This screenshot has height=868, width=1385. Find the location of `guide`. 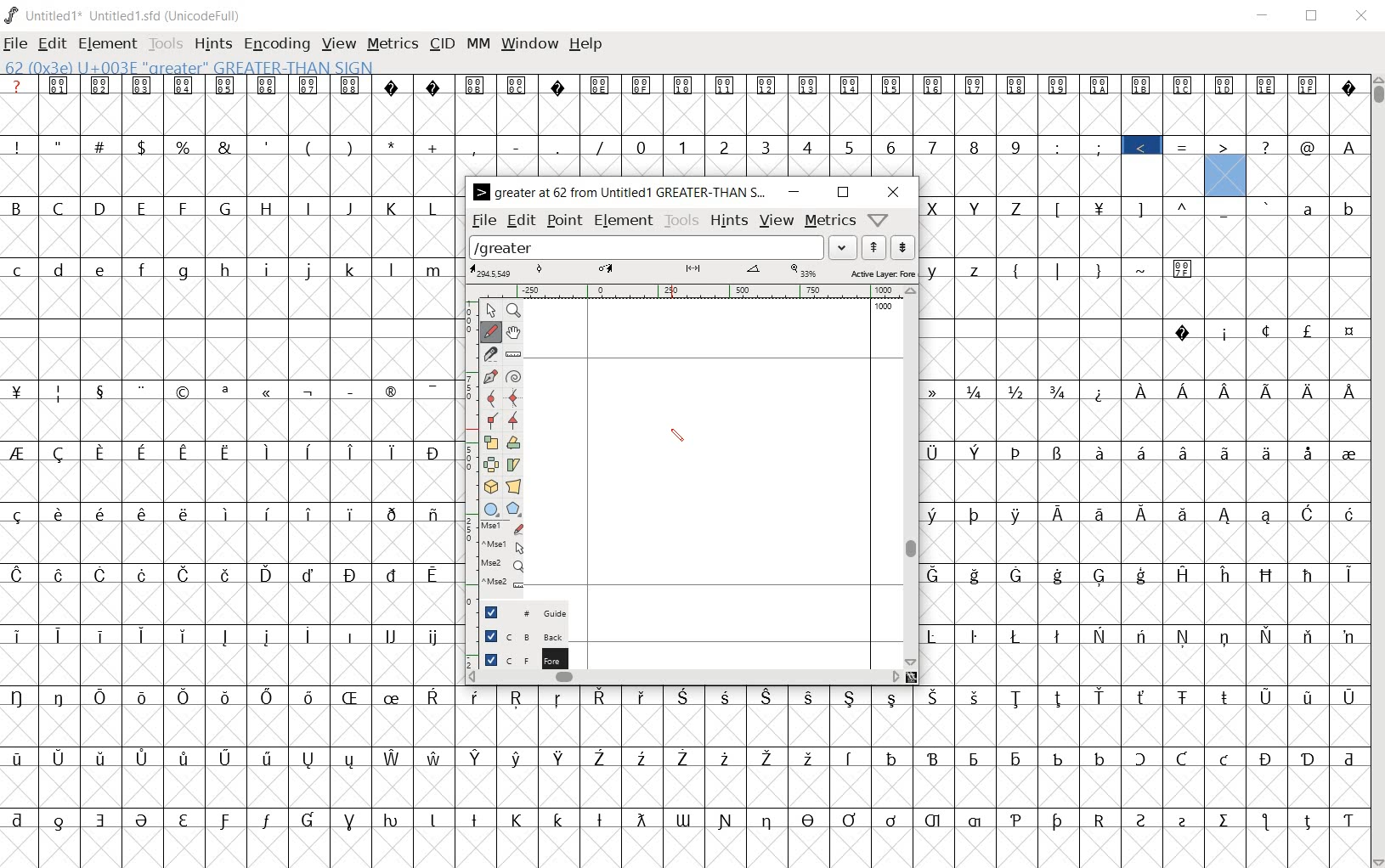

guide is located at coordinates (517, 611).